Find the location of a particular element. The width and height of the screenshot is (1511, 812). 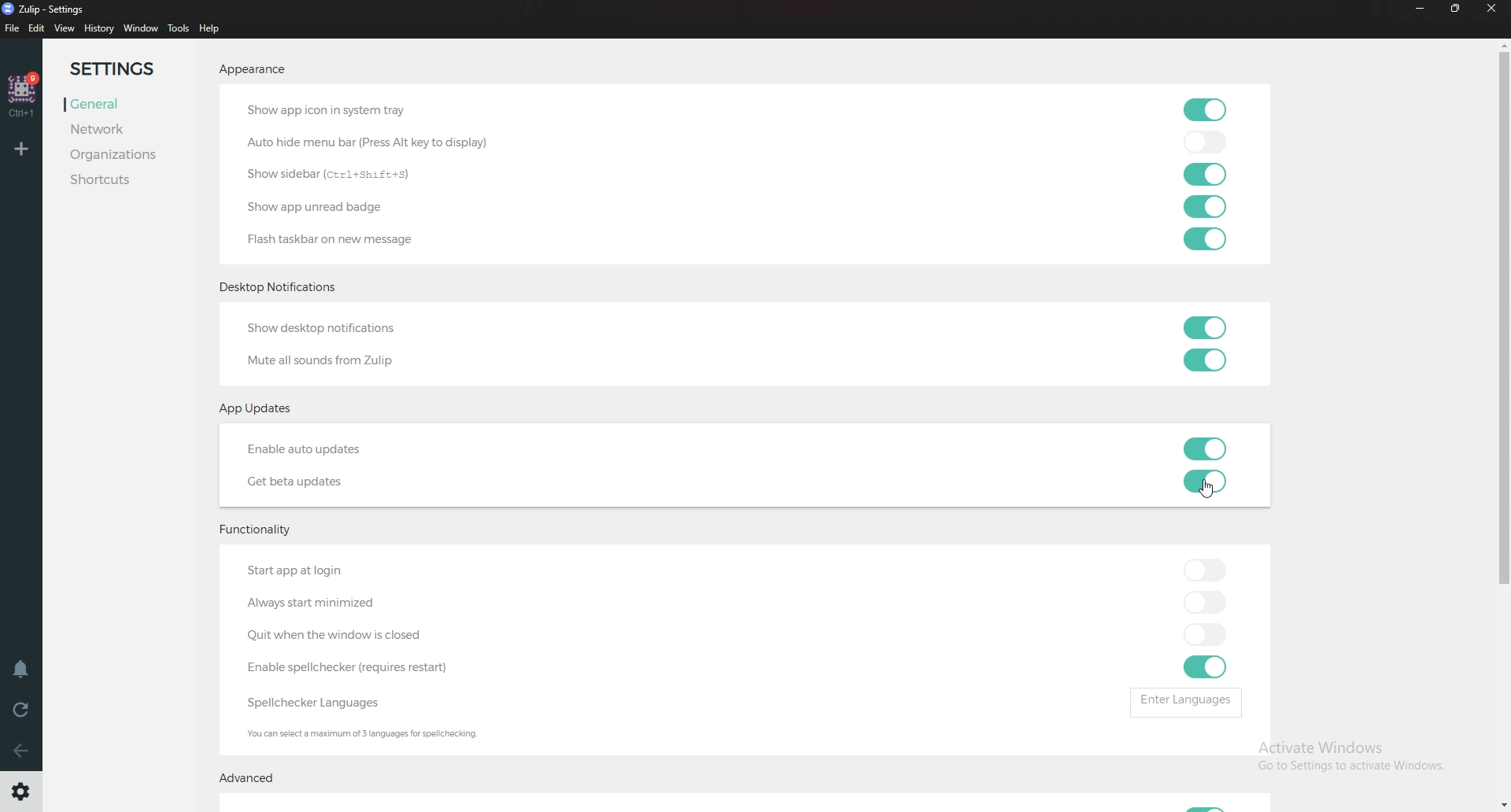

Functionality is located at coordinates (271, 529).